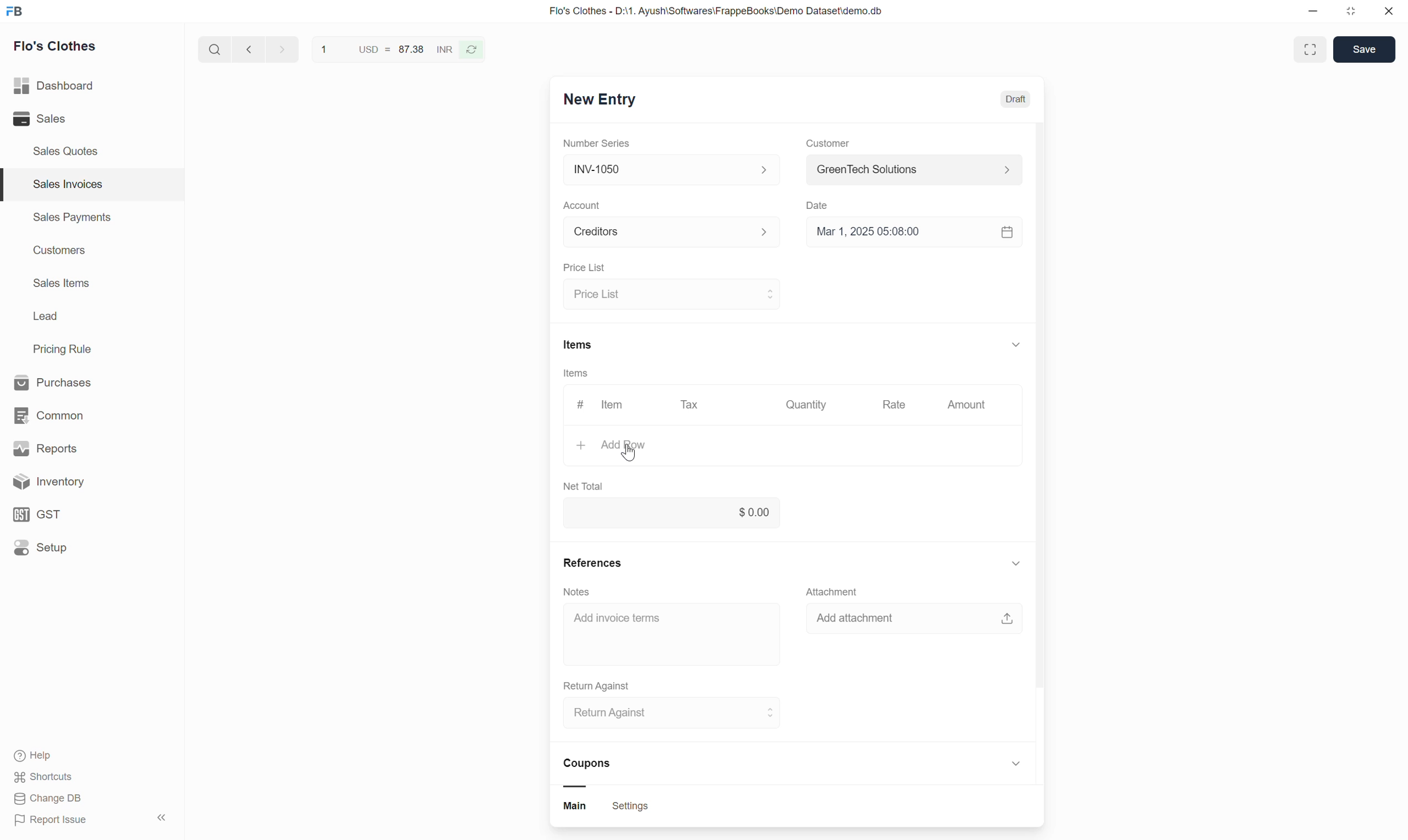 The width and height of the screenshot is (1408, 840). What do you see at coordinates (85, 482) in the screenshot?
I see `Inventory ` at bounding box center [85, 482].